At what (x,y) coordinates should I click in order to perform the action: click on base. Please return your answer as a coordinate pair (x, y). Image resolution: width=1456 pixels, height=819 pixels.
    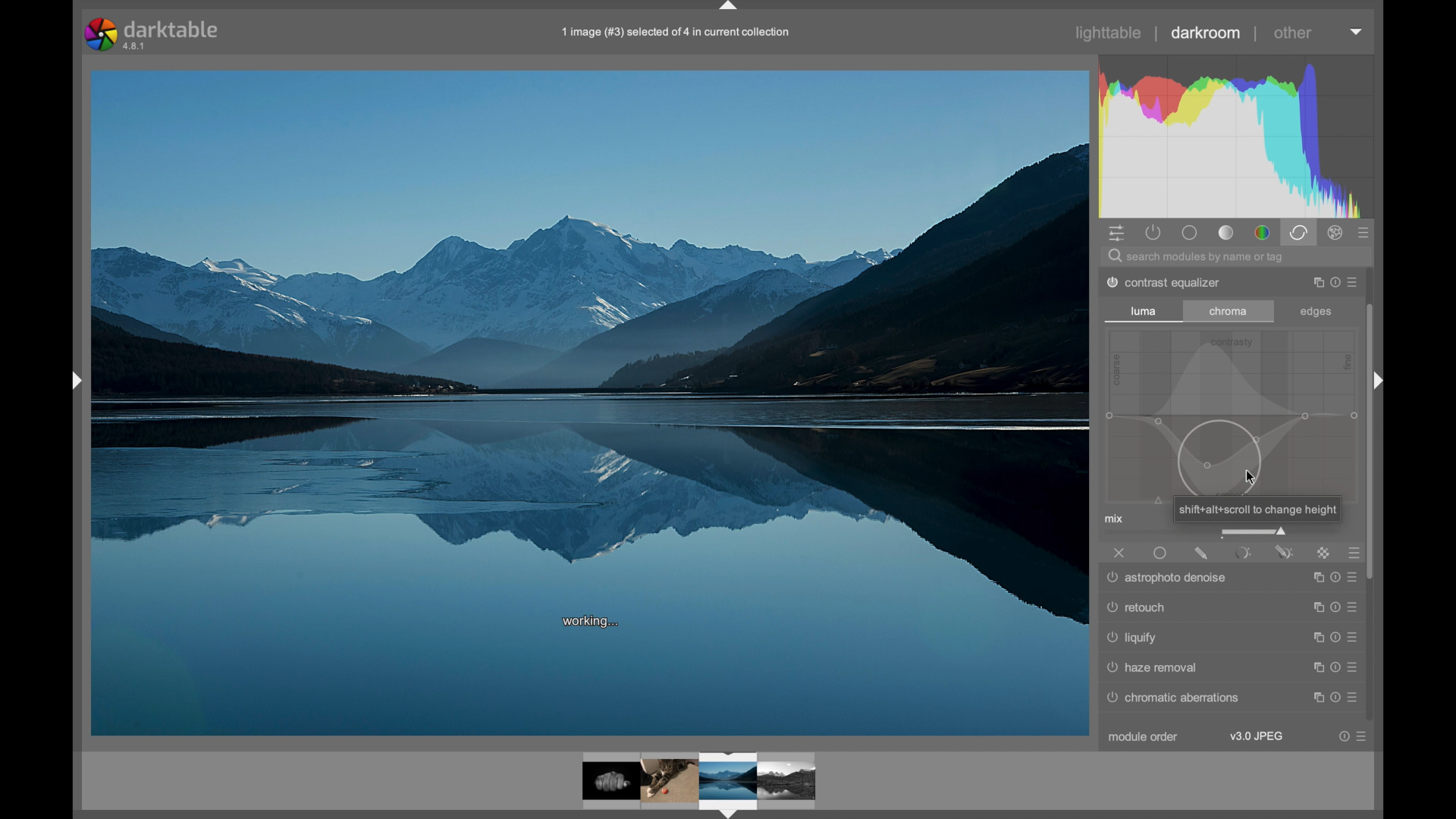
    Looking at the image, I should click on (1191, 233).